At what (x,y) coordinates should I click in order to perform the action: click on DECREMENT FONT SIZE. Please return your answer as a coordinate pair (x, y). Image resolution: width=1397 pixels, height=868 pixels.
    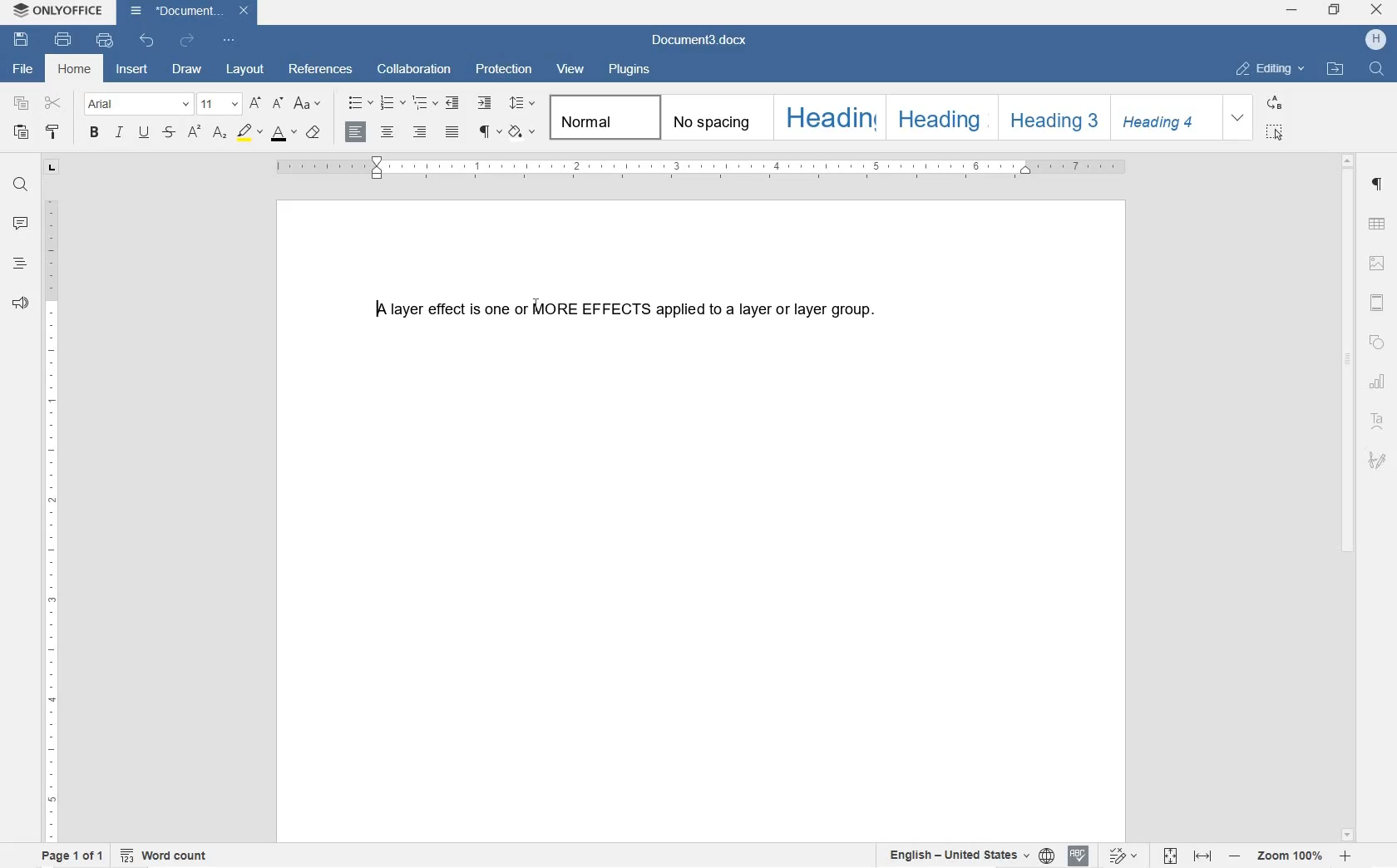
    Looking at the image, I should click on (255, 104).